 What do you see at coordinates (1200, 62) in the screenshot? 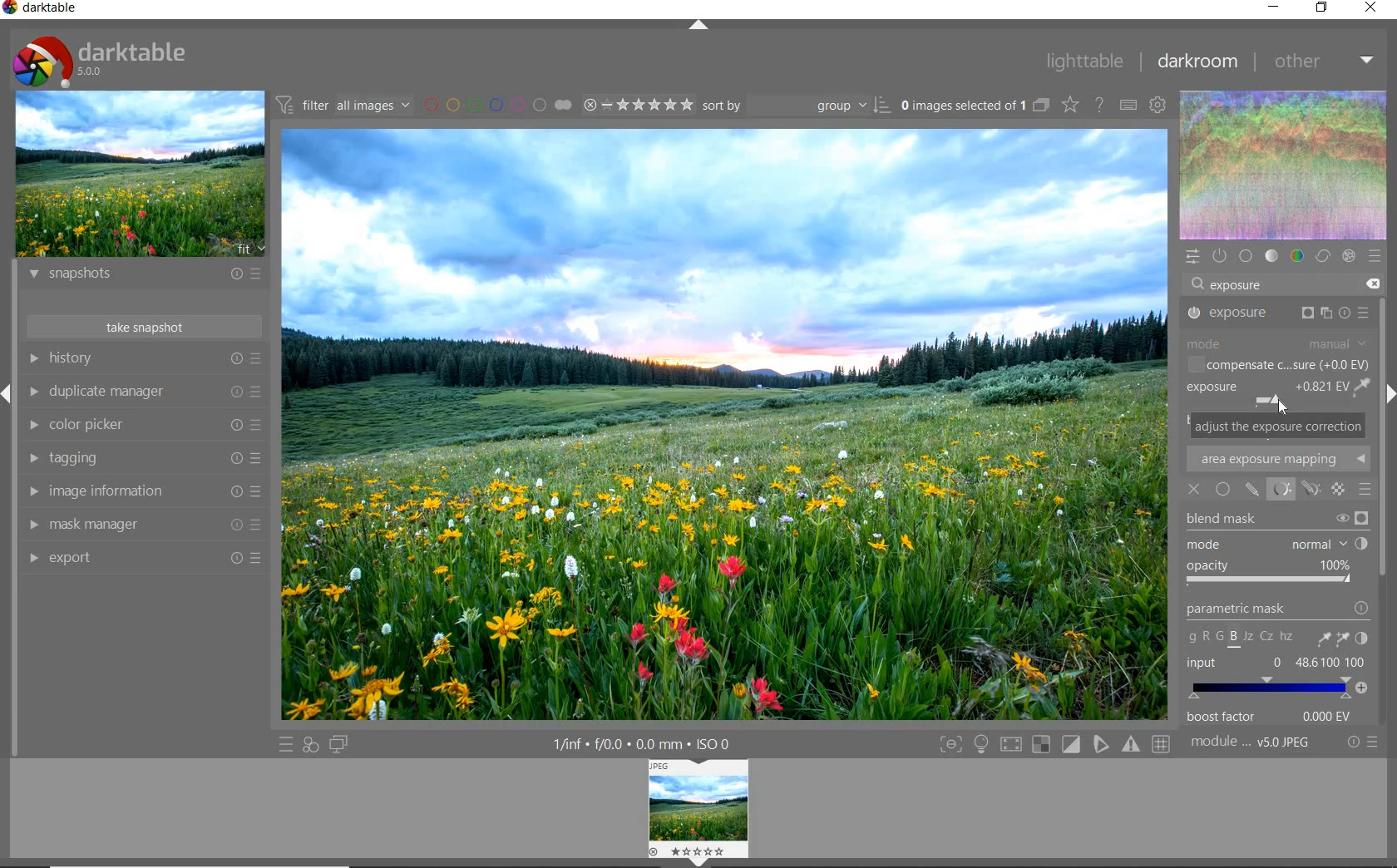
I see `darkroom` at bounding box center [1200, 62].